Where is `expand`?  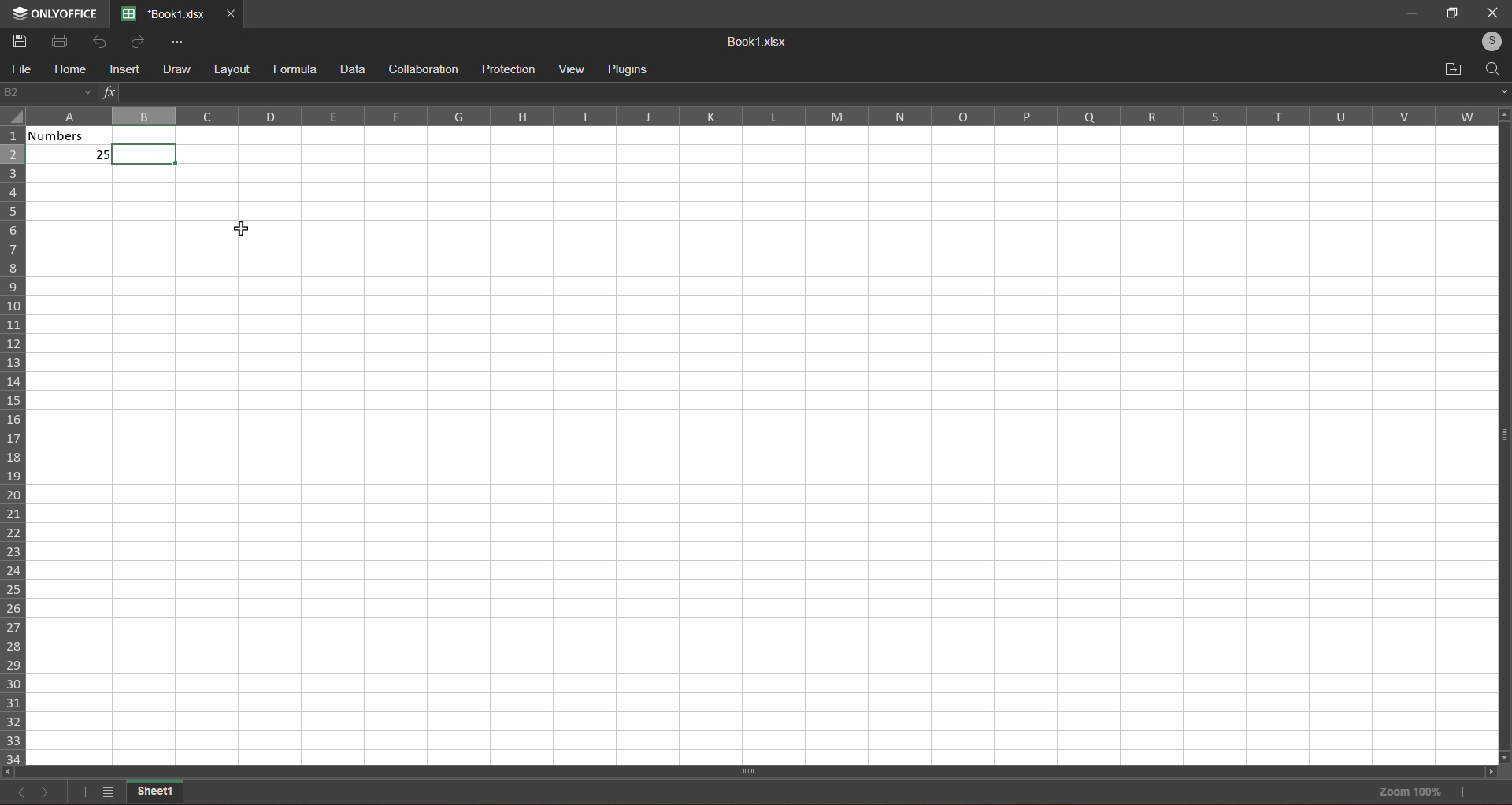 expand is located at coordinates (1499, 91).